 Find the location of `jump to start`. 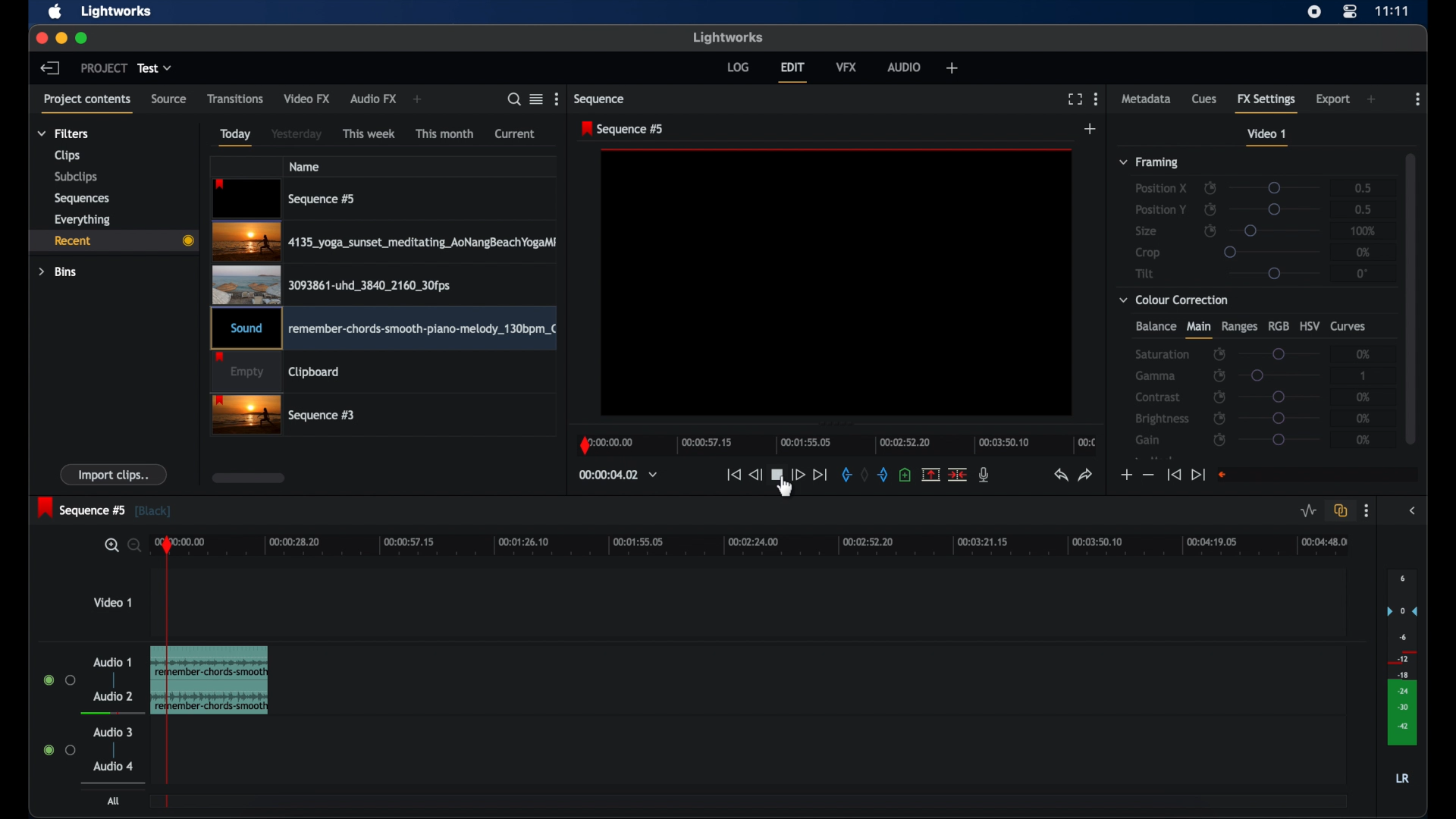

jump to start is located at coordinates (1174, 475).